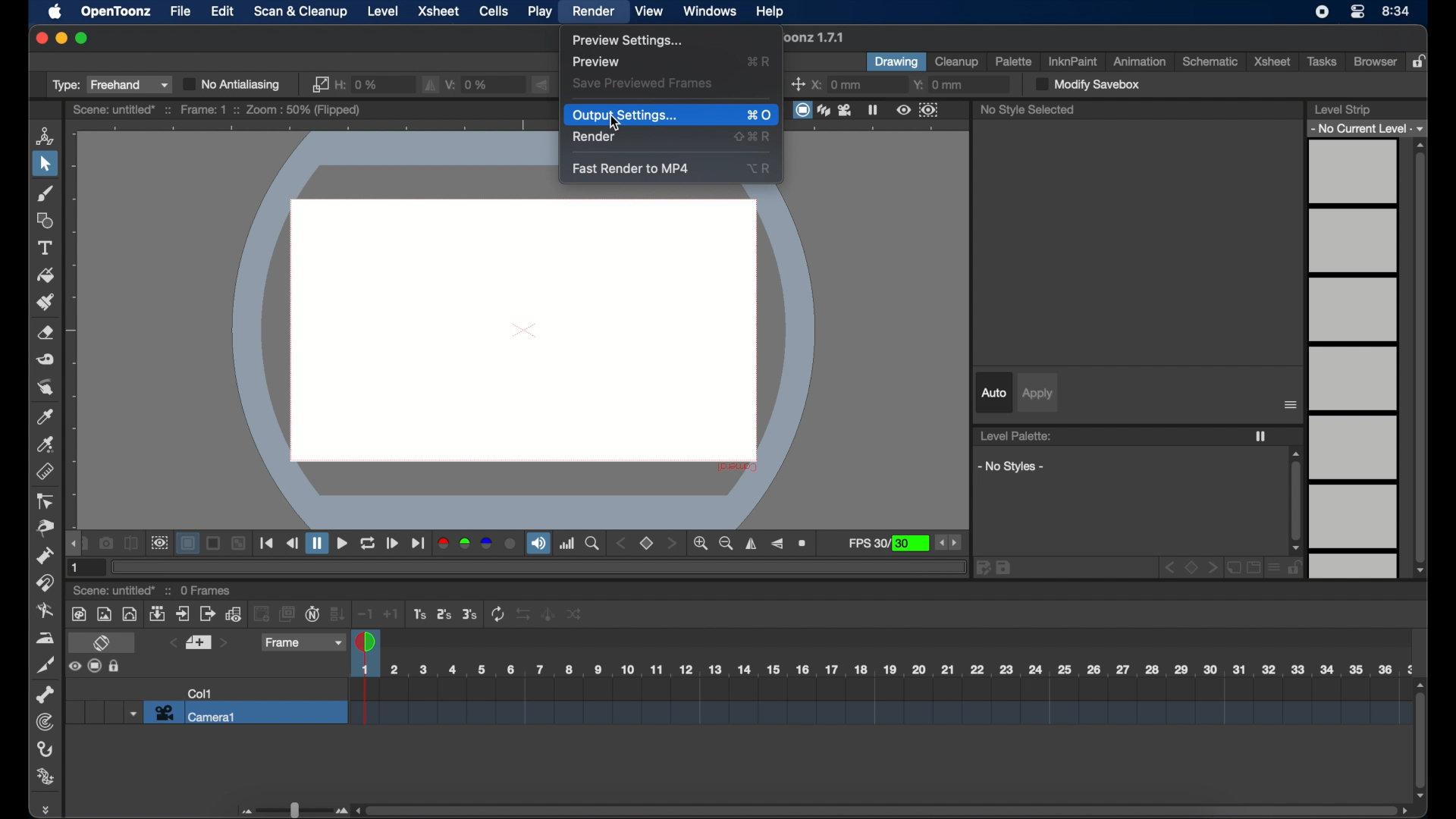 The height and width of the screenshot is (819, 1456). I want to click on link, so click(318, 84).